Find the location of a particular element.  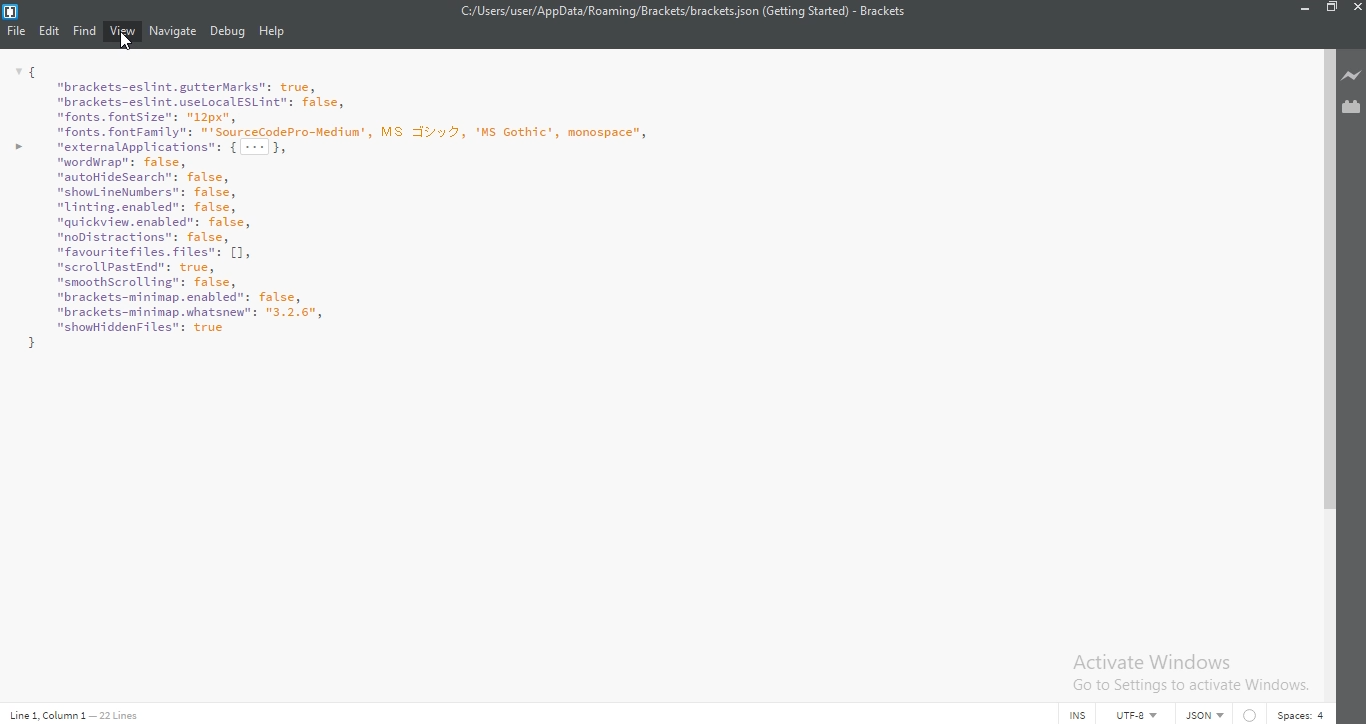

File is located at coordinates (18, 32).